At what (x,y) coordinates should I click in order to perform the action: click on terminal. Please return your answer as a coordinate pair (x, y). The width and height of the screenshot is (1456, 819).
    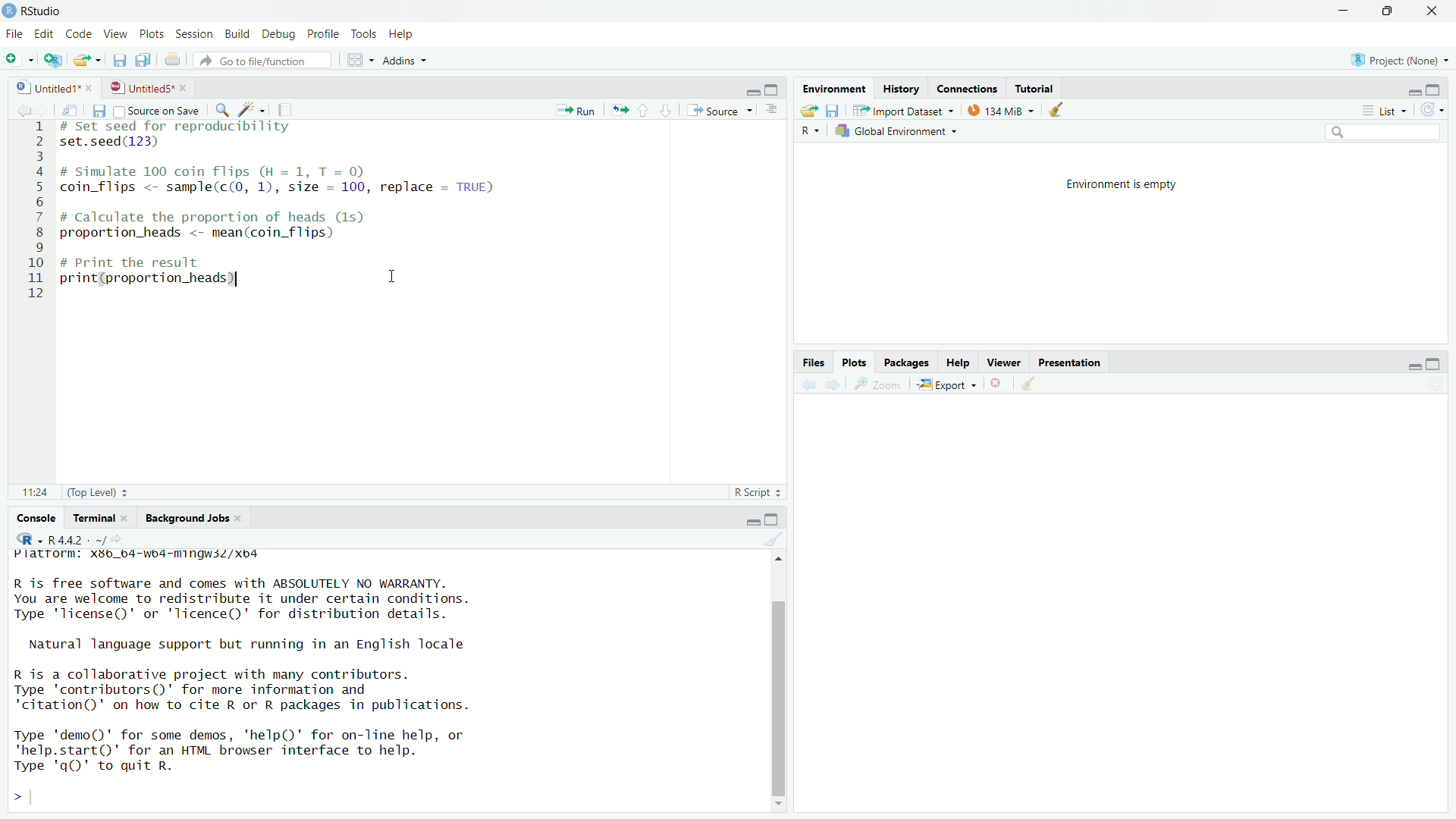
    Looking at the image, I should click on (93, 519).